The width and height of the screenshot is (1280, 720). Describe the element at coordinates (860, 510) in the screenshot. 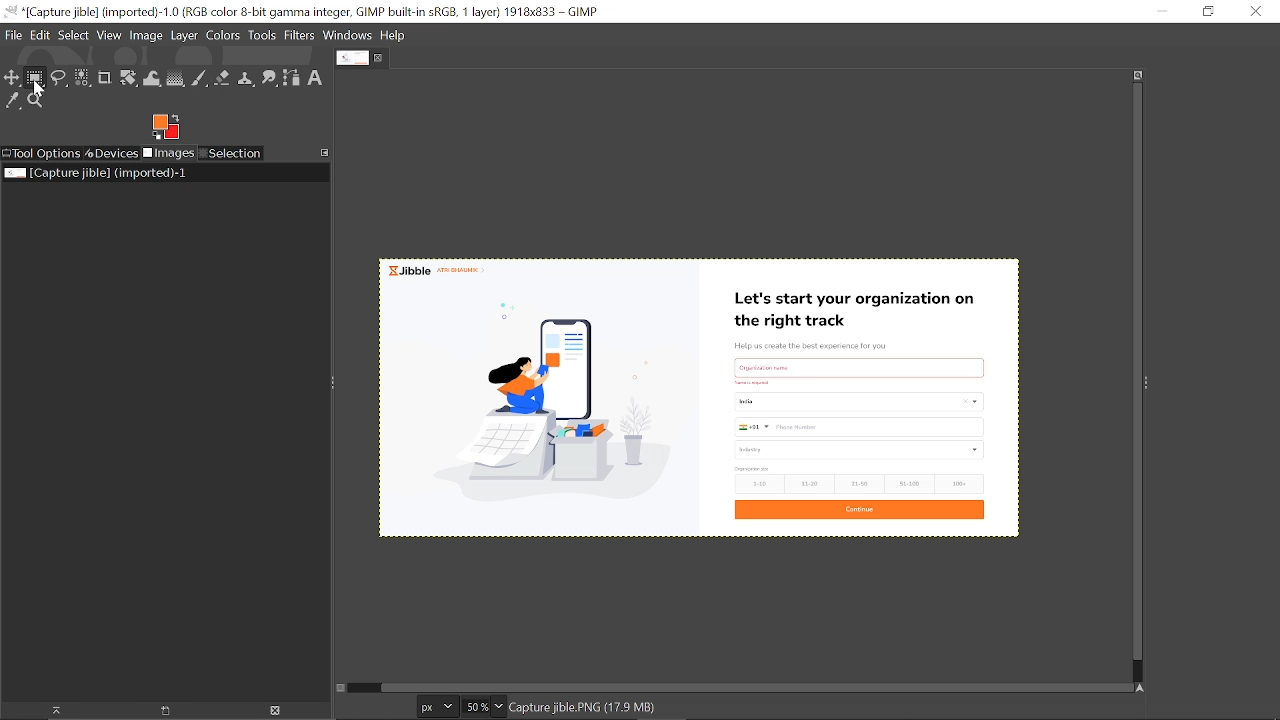

I see `Continue` at that location.